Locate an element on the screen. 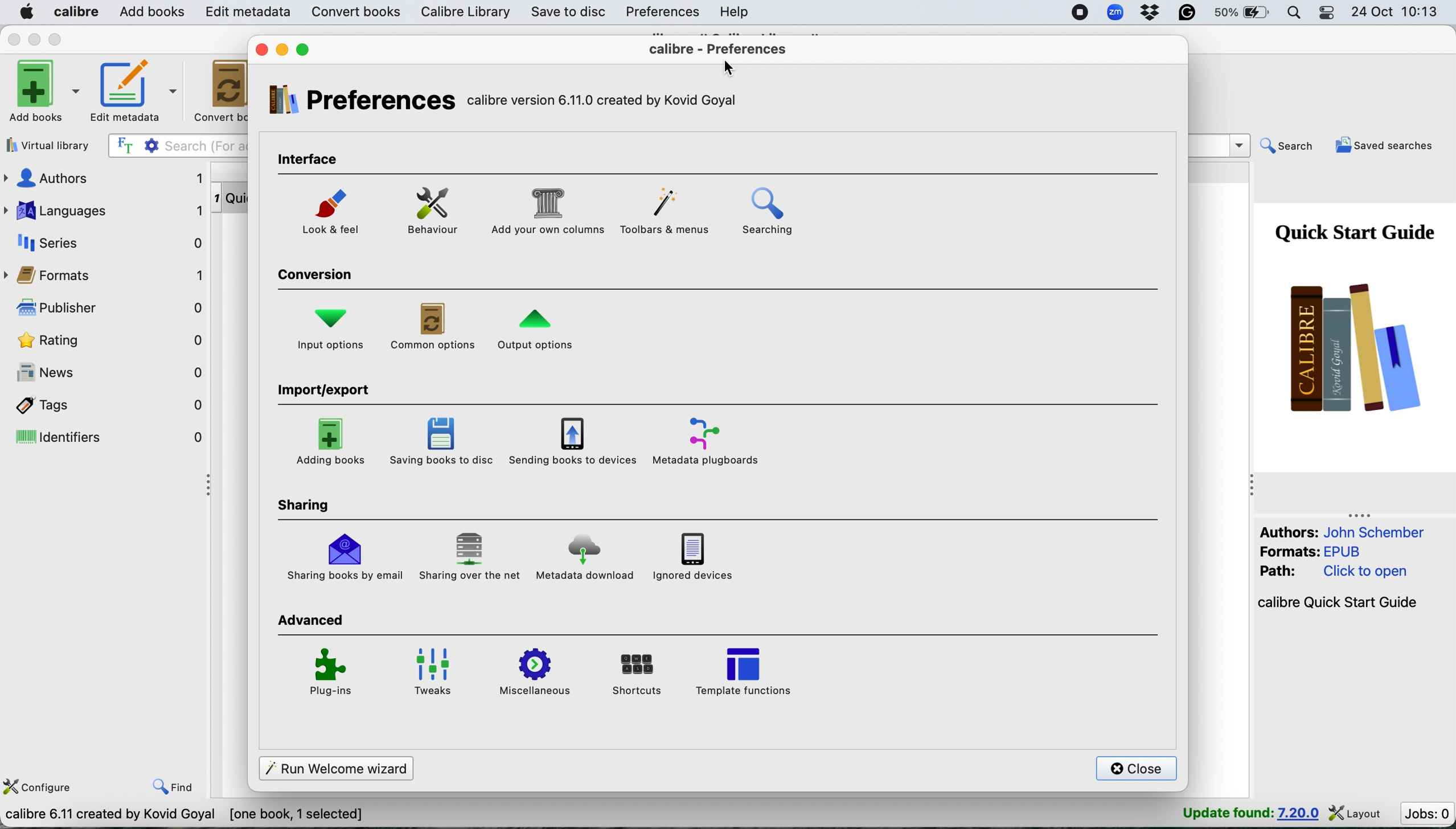  input options is located at coordinates (334, 330).